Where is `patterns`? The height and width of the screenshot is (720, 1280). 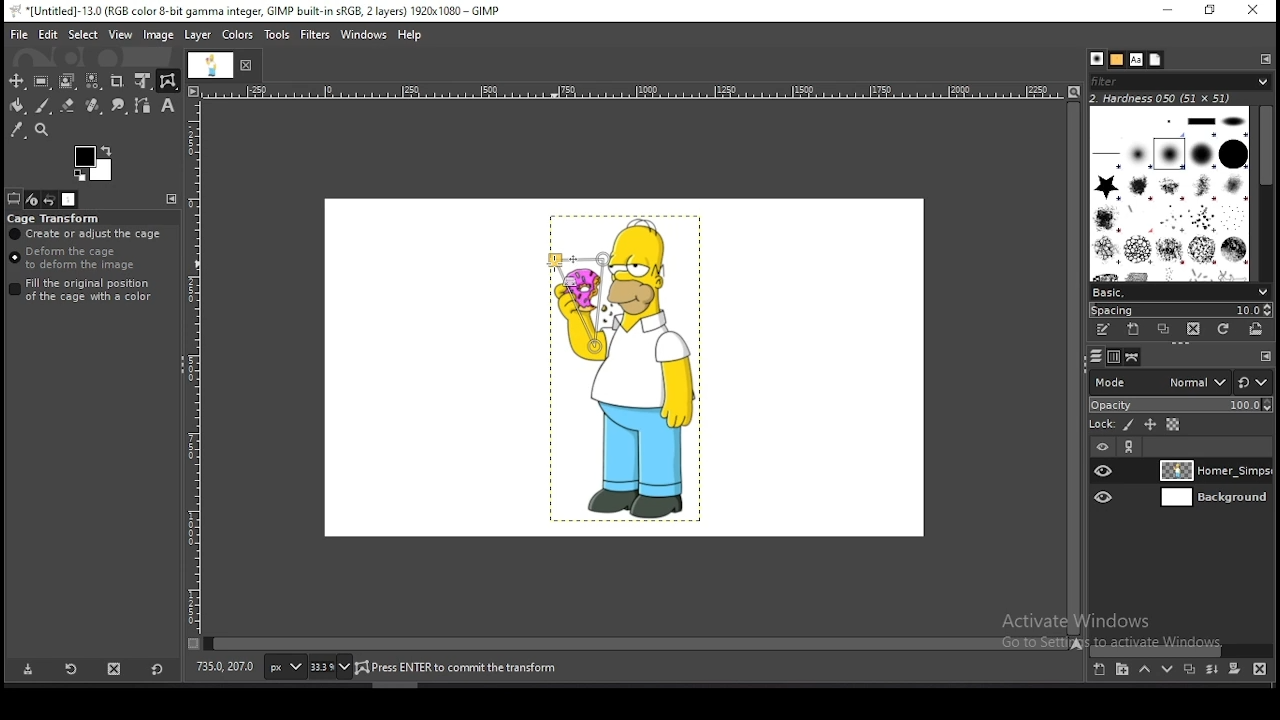
patterns is located at coordinates (1116, 60).